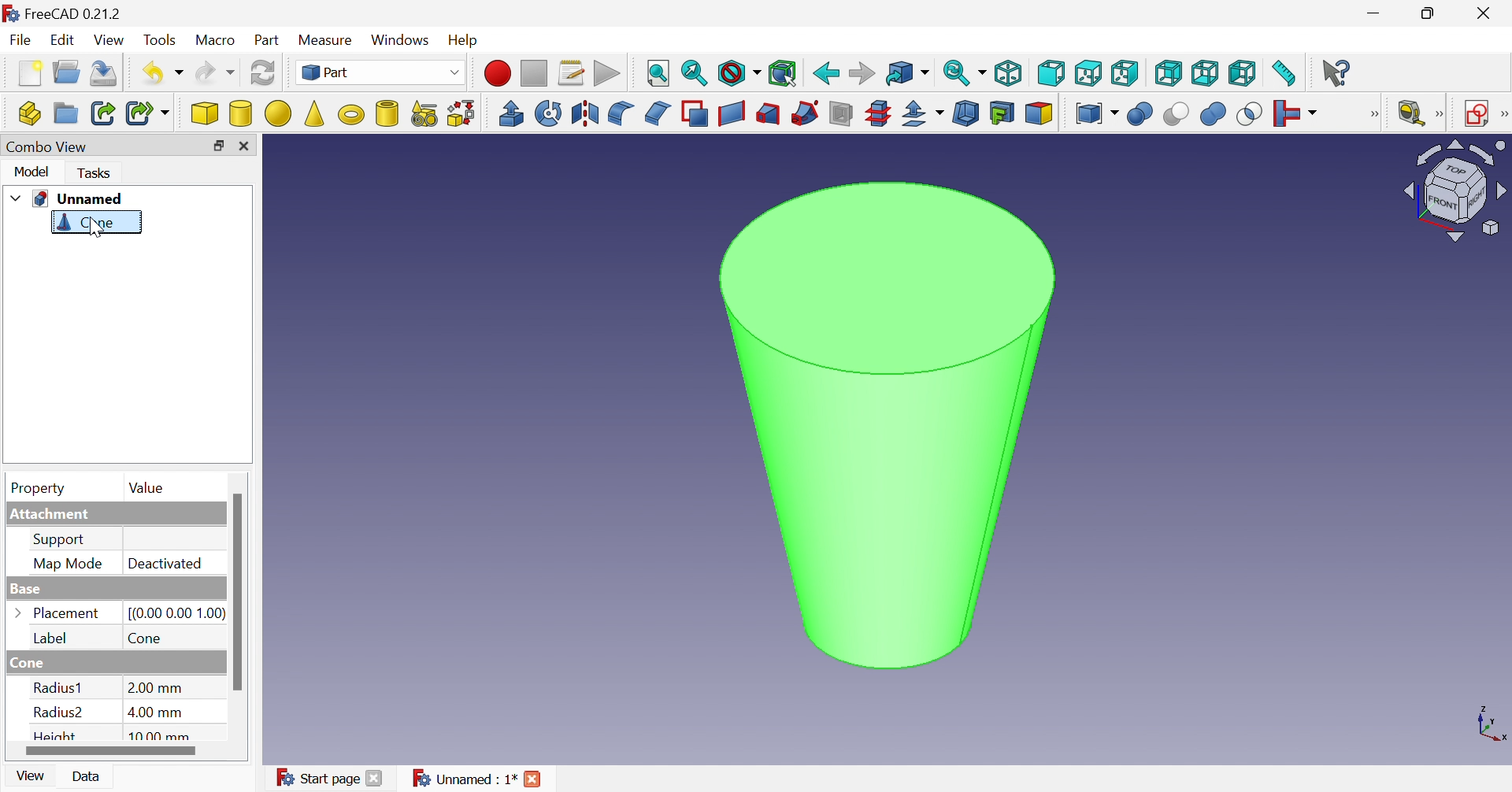 The width and height of the screenshot is (1512, 792). Describe the element at coordinates (65, 73) in the screenshot. I see `Open` at that location.